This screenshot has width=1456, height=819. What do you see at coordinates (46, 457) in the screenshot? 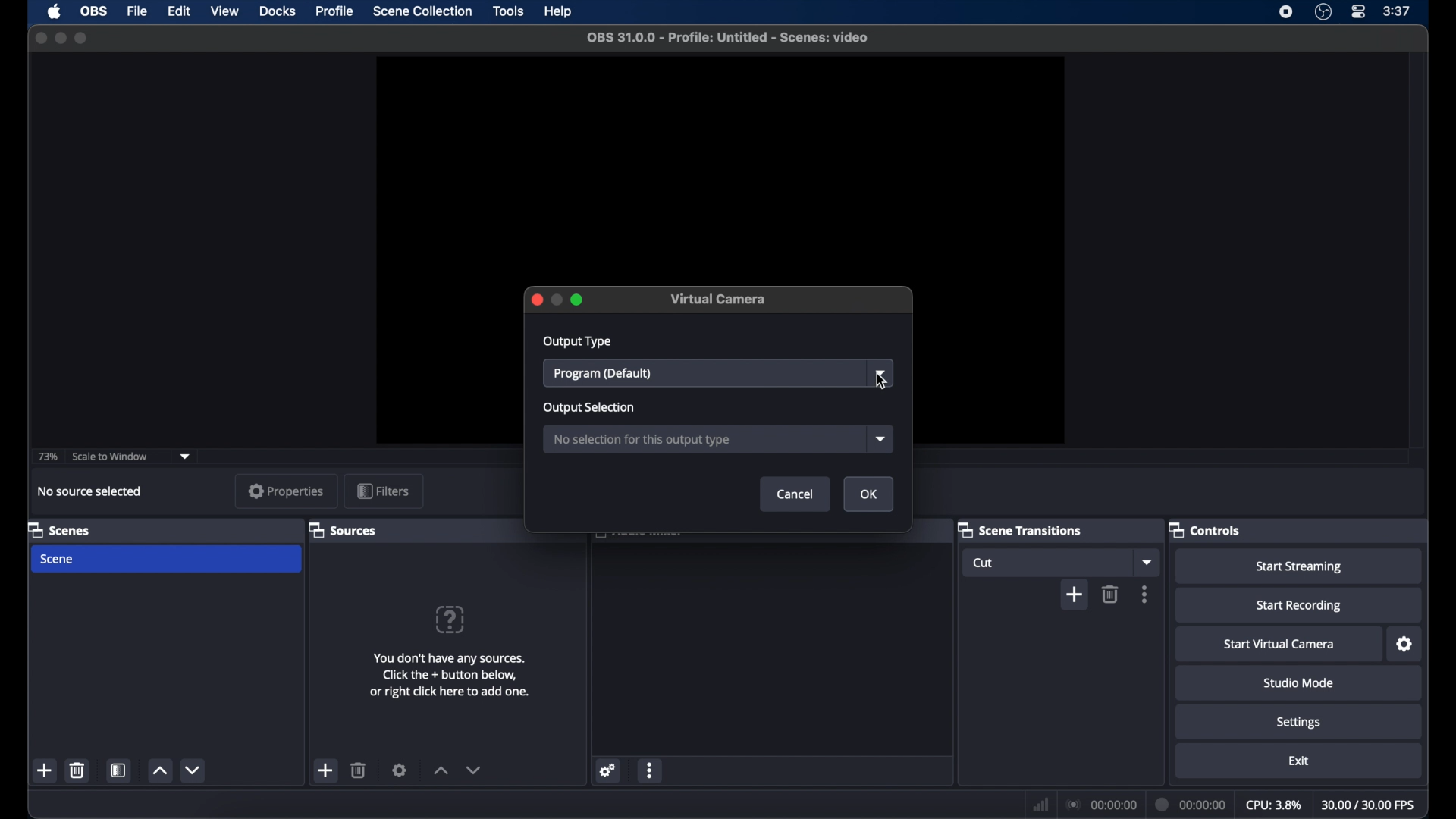
I see `73%` at bounding box center [46, 457].